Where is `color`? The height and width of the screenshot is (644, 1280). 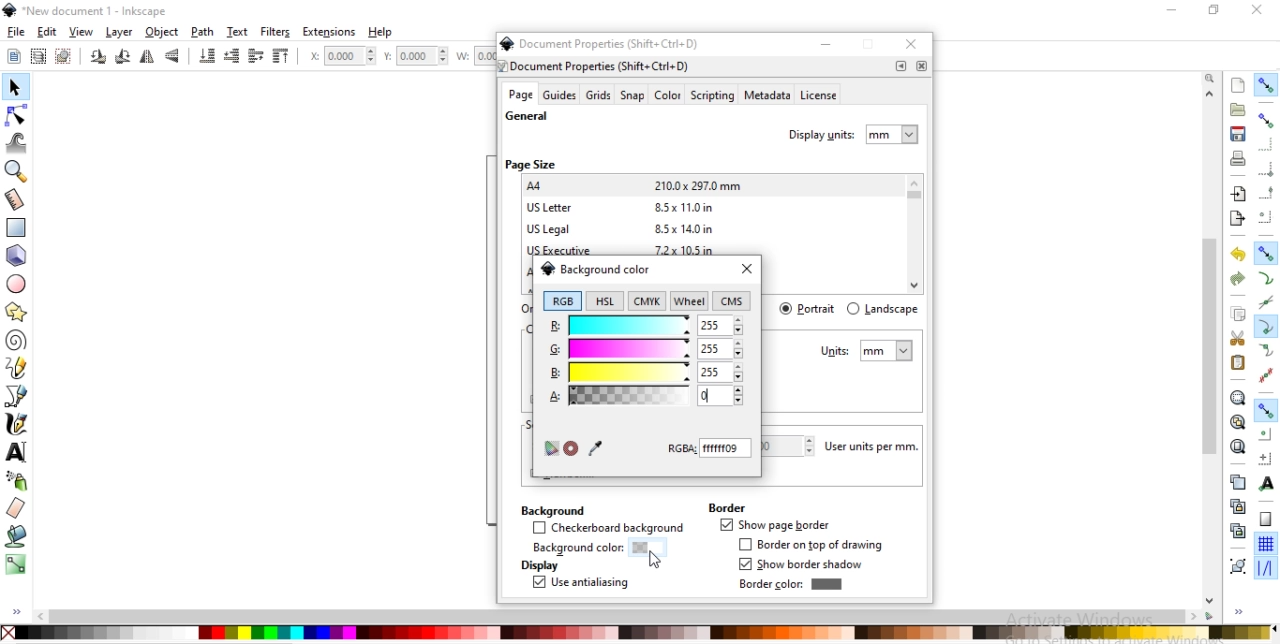 color is located at coordinates (638, 632).